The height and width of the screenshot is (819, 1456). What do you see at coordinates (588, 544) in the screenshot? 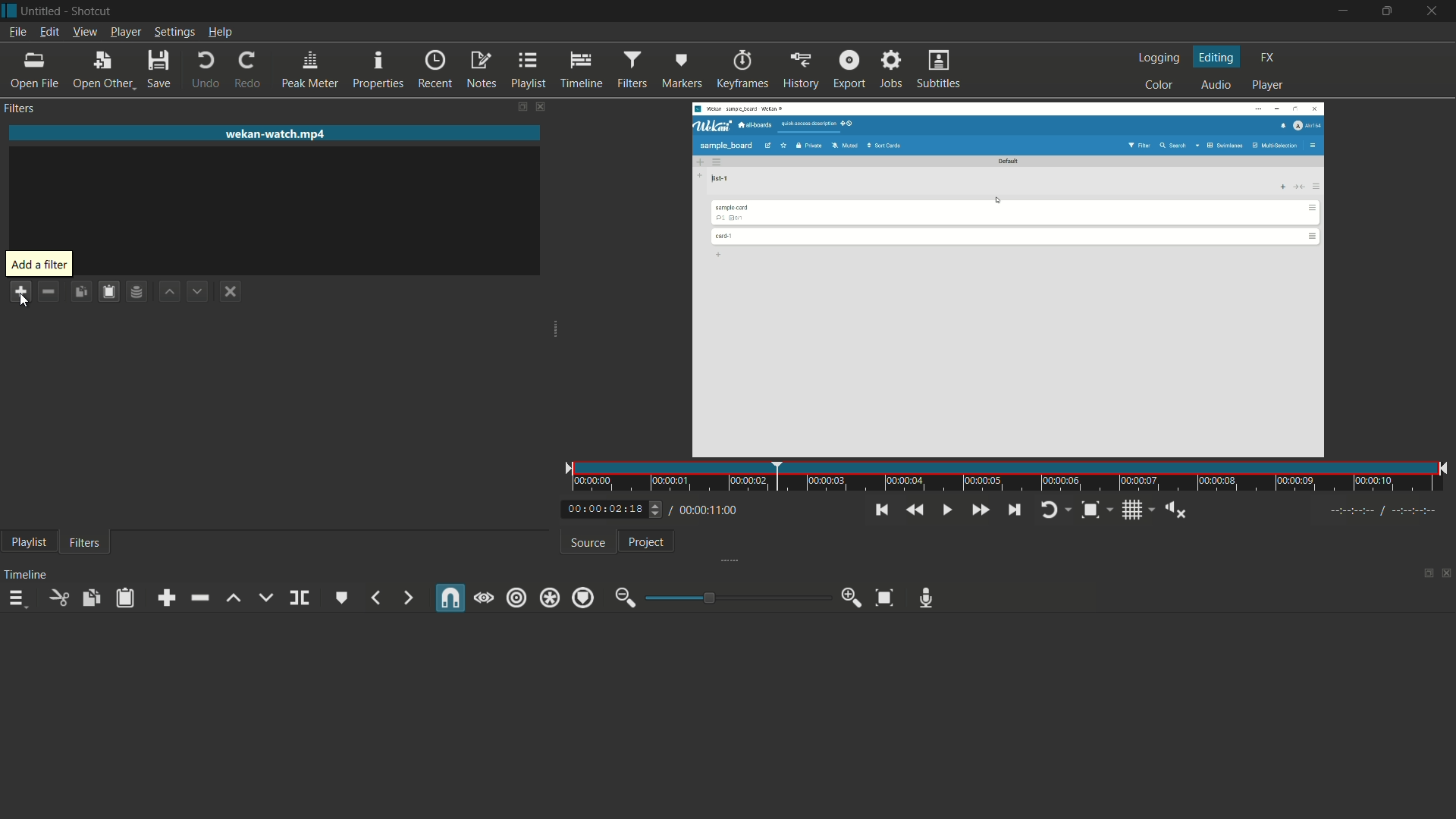
I see `source` at bounding box center [588, 544].